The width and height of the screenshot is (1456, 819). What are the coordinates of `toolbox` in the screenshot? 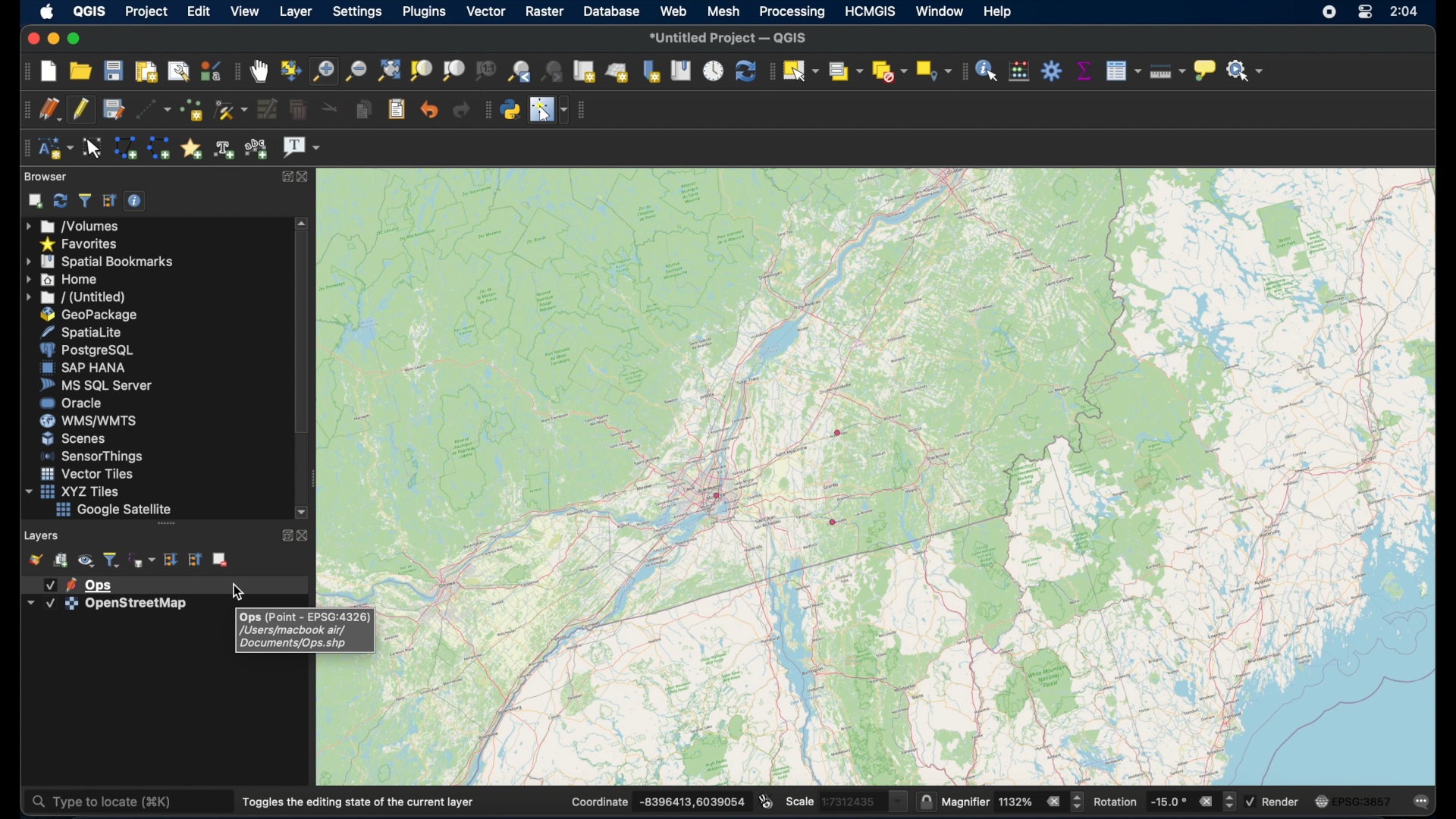 It's located at (1053, 71).